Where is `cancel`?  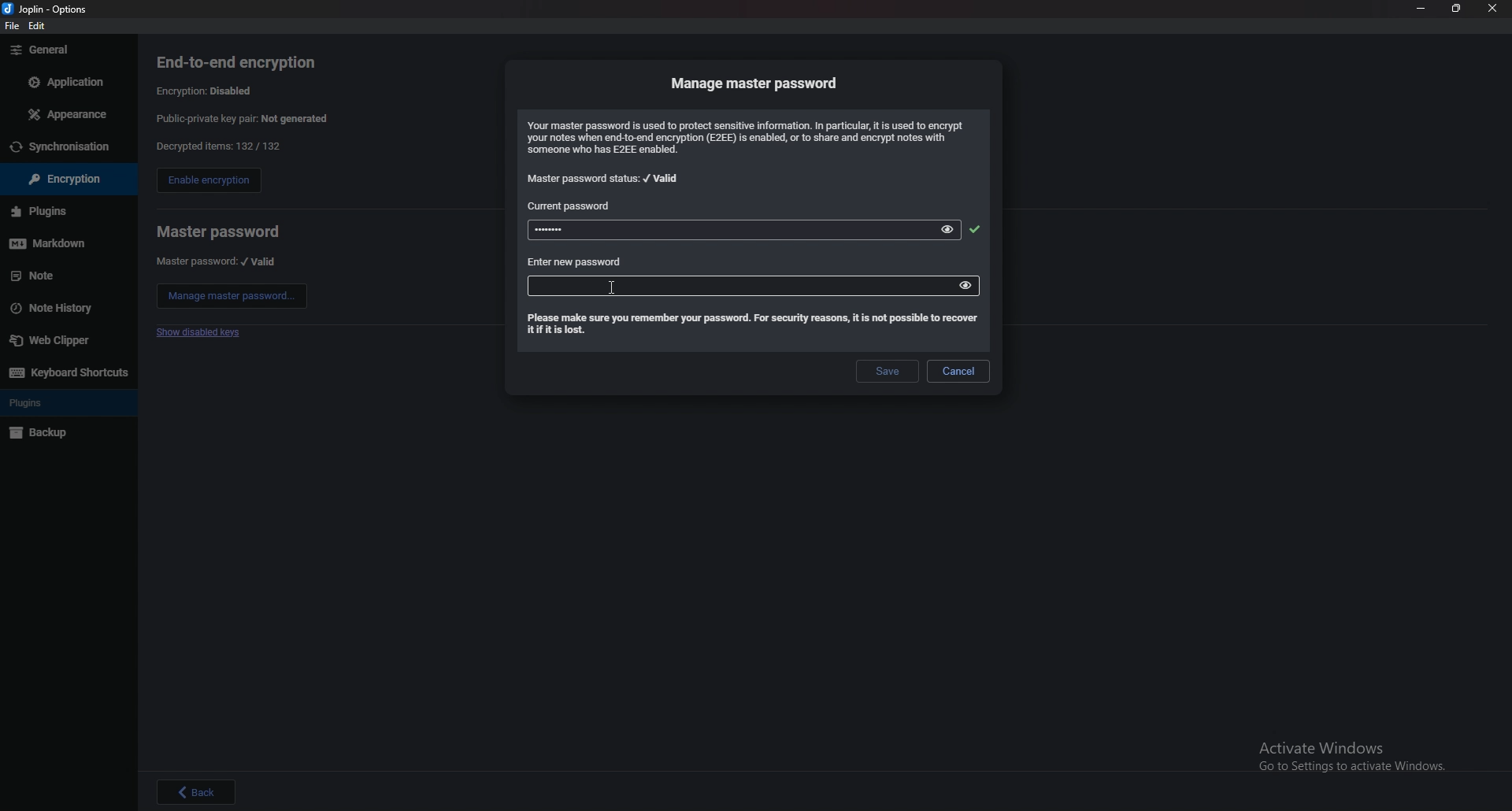 cancel is located at coordinates (958, 371).